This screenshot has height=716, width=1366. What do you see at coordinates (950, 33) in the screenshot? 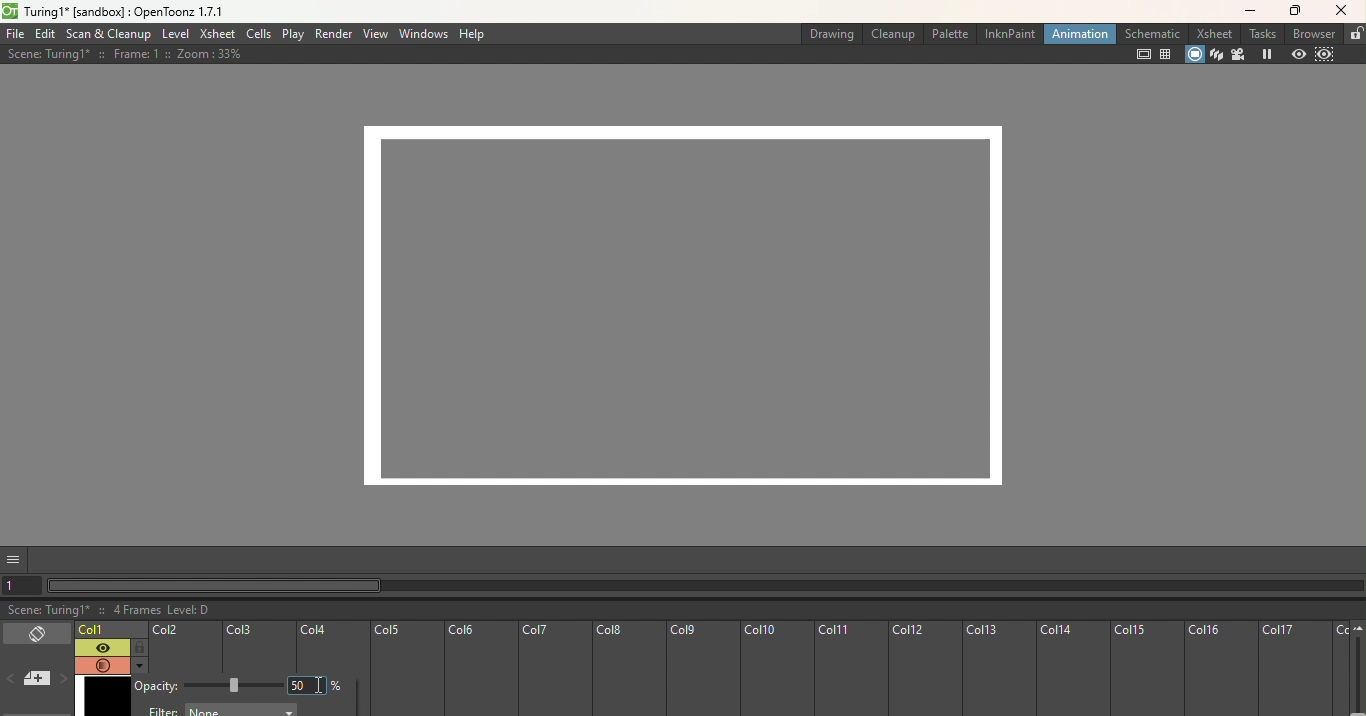
I see `Palette` at bounding box center [950, 33].